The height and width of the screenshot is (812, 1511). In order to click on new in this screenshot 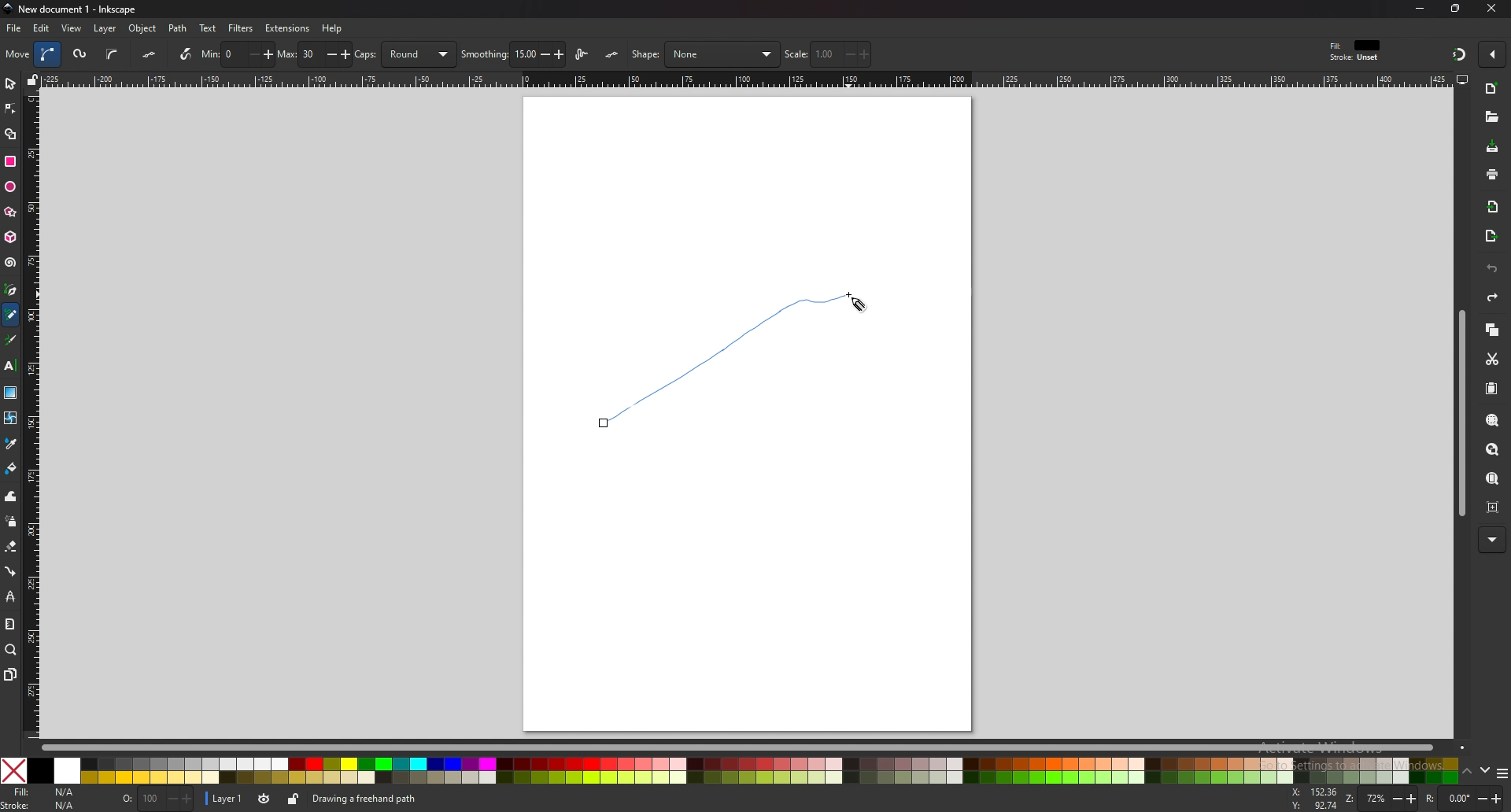, I will do `click(1492, 90)`.